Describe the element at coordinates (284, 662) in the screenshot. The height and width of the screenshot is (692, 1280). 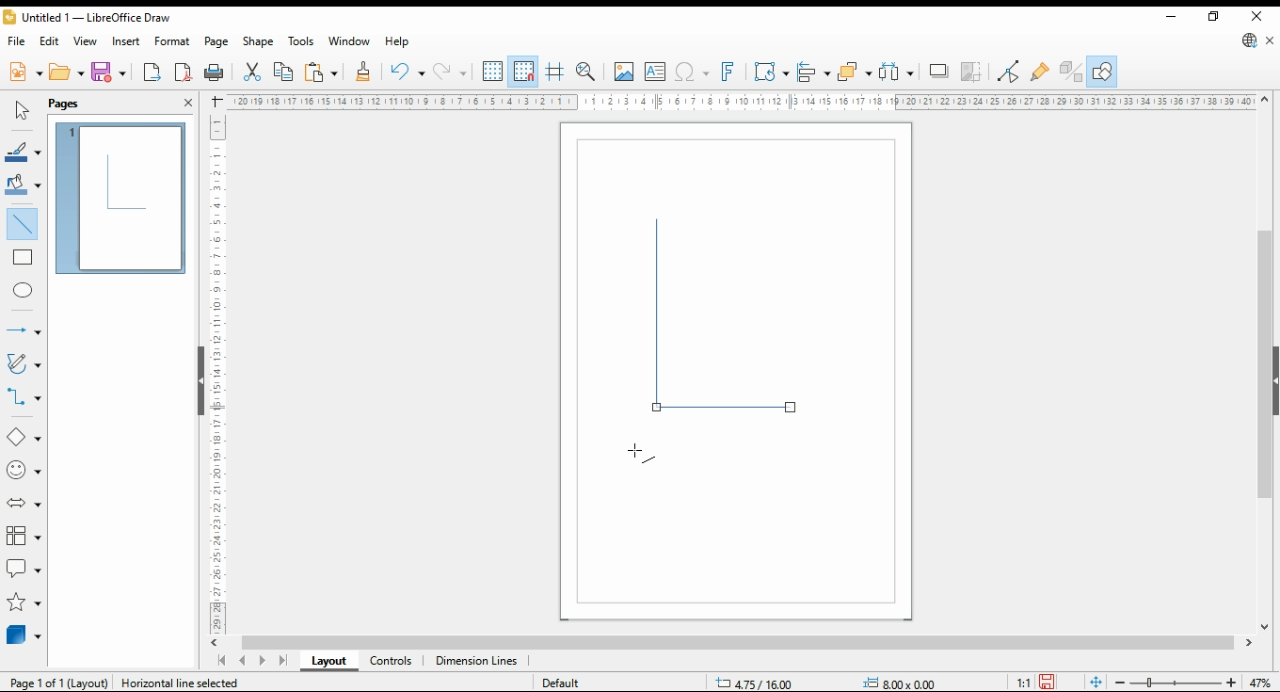
I see `last page` at that location.